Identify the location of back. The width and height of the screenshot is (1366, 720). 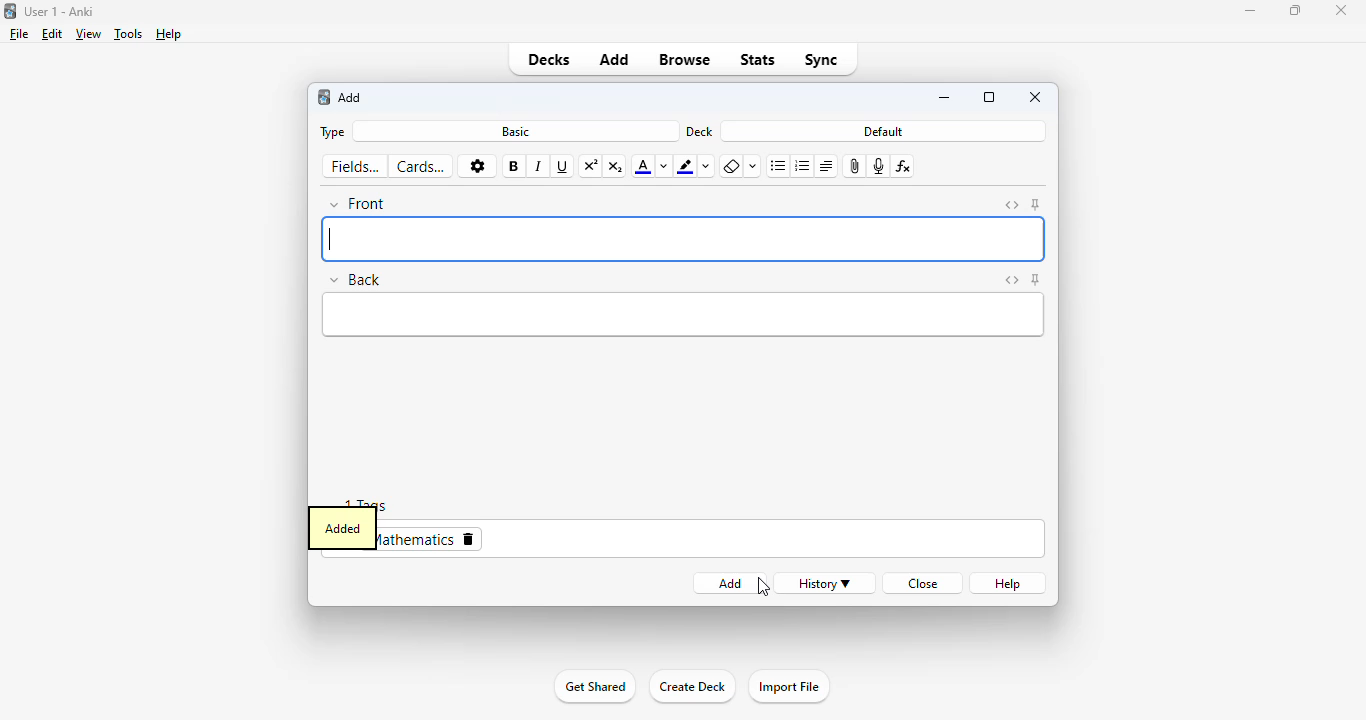
(358, 278).